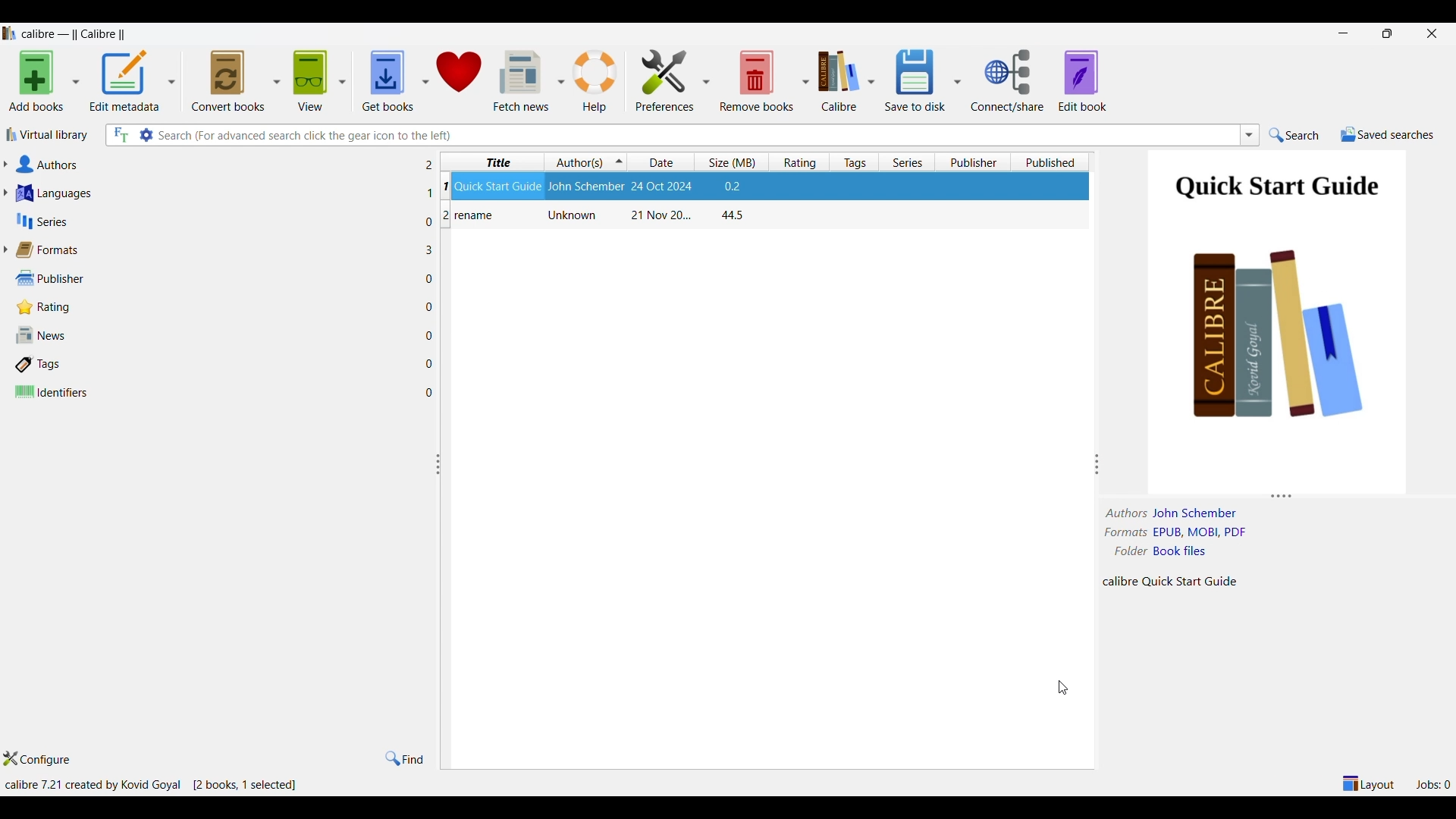 This screenshot has width=1456, height=819. What do you see at coordinates (1009, 80) in the screenshot?
I see `Connect/Share` at bounding box center [1009, 80].